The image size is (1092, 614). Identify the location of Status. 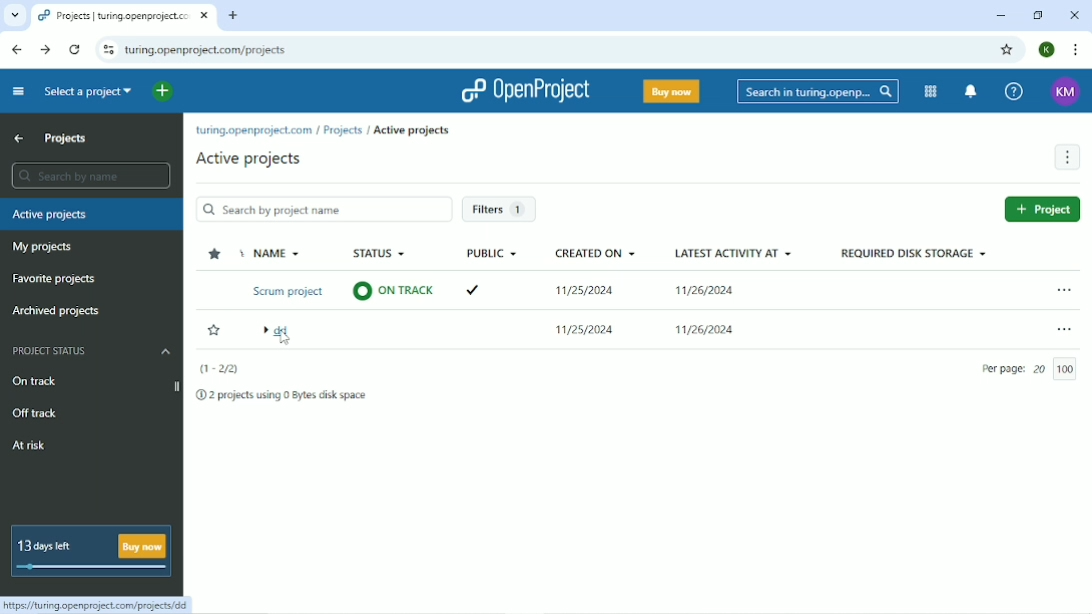
(380, 254).